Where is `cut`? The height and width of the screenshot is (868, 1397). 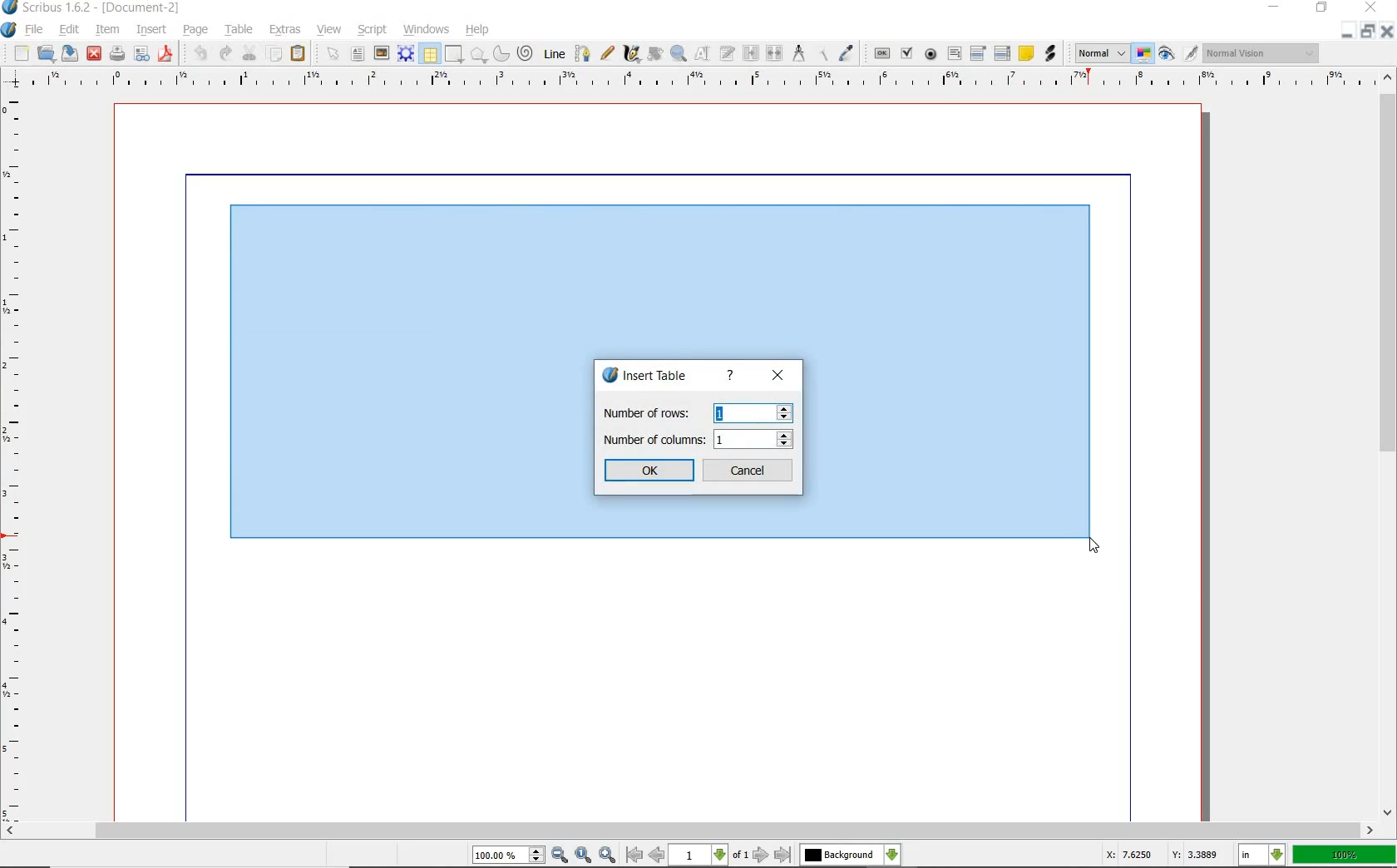
cut is located at coordinates (249, 52).